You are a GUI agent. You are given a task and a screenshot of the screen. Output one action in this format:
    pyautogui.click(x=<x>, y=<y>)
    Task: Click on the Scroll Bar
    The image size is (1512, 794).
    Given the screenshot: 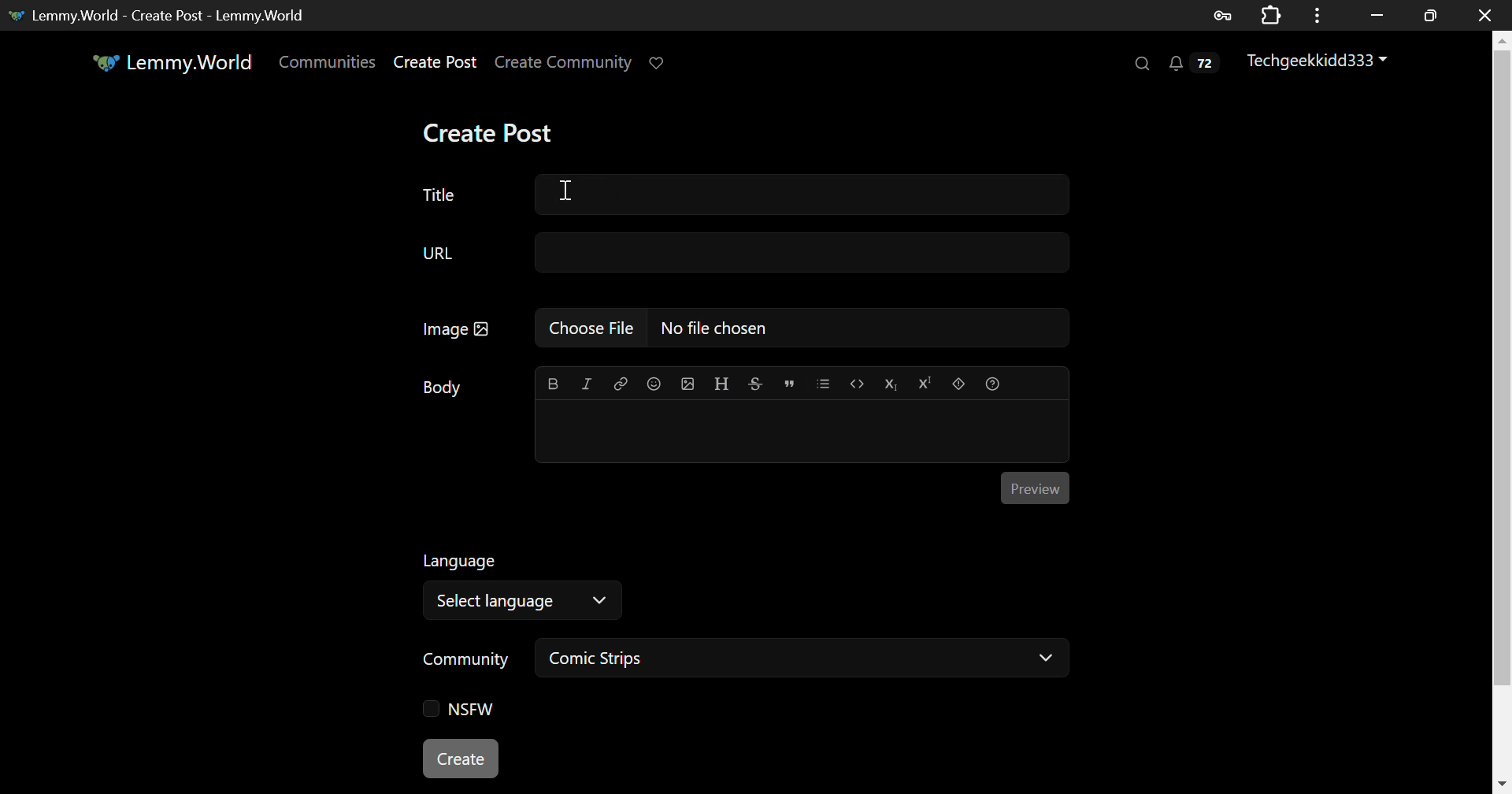 What is the action you would take?
    pyautogui.click(x=1503, y=409)
    